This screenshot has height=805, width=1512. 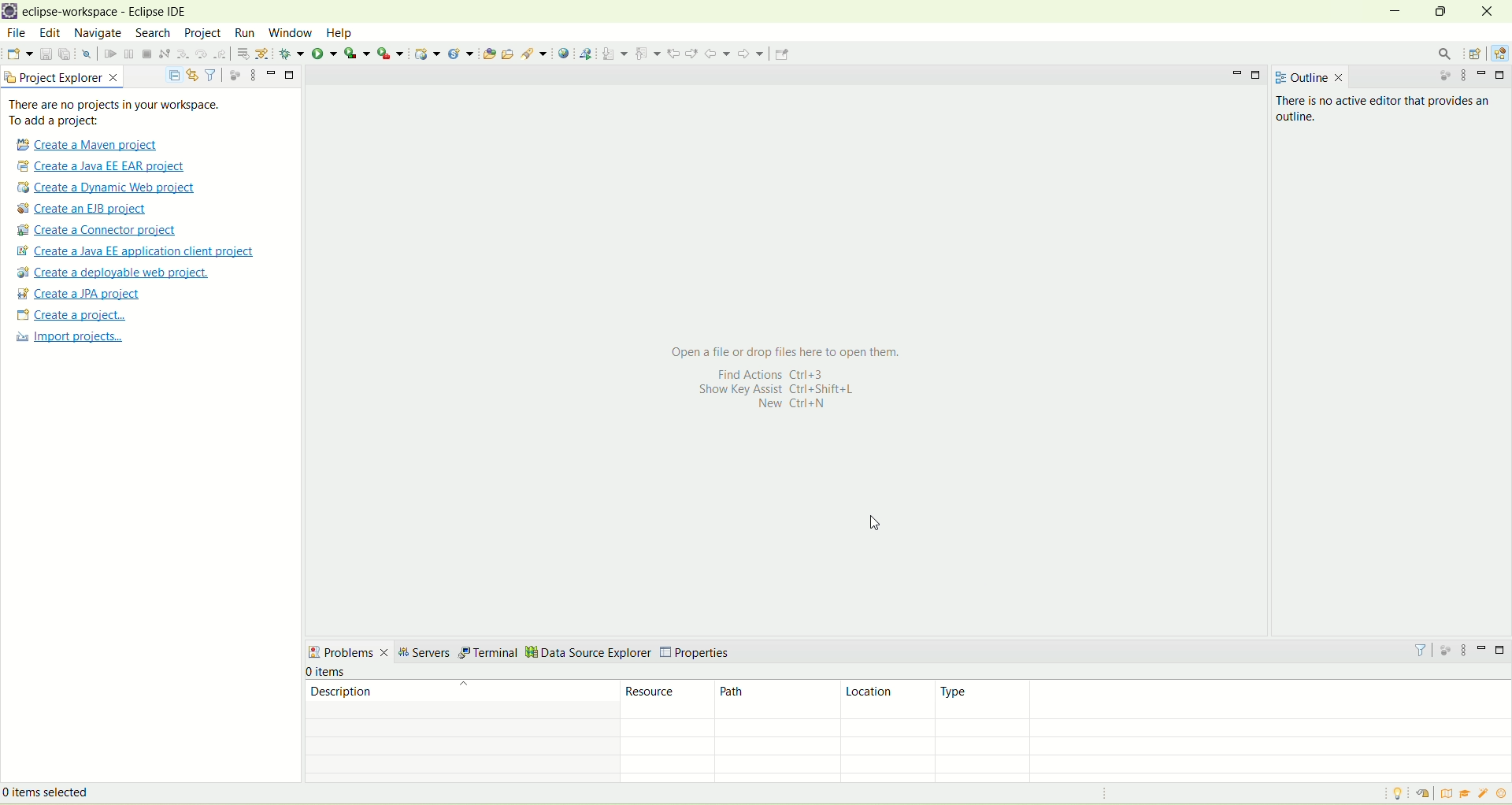 I want to click on import projects, so click(x=68, y=339).